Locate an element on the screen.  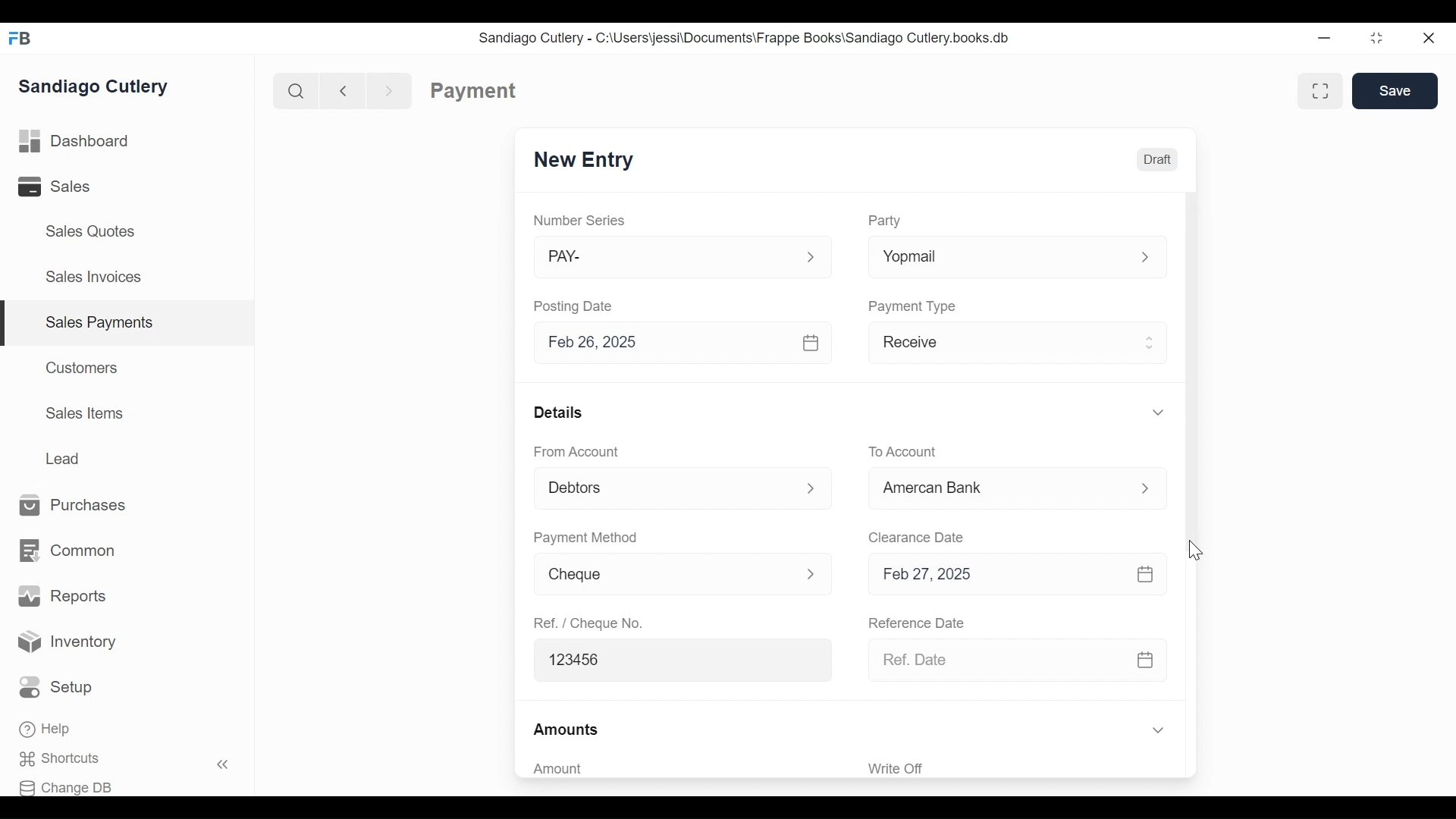
| Sales Payments is located at coordinates (129, 324).